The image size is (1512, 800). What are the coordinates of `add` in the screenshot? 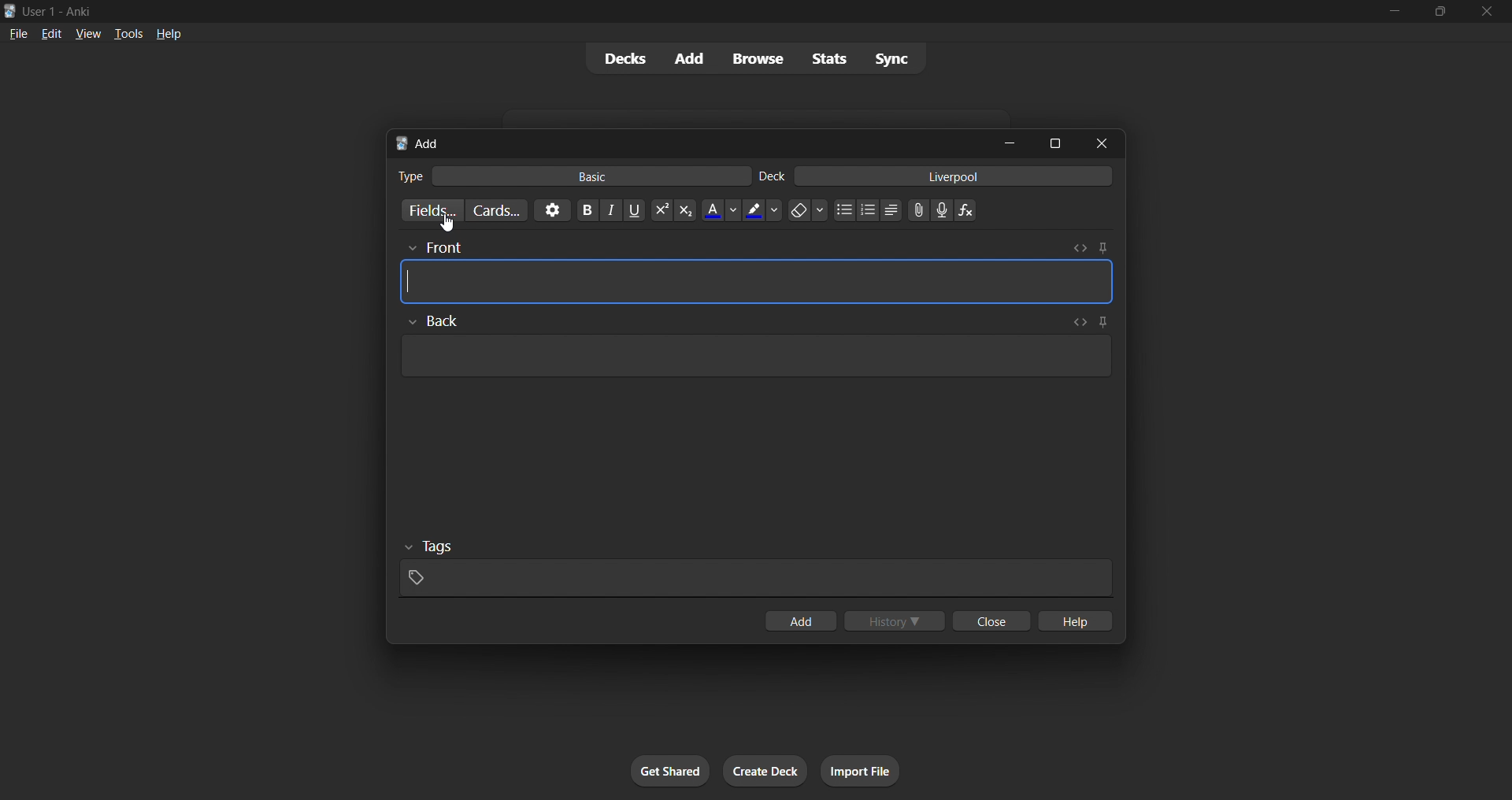 It's located at (691, 59).